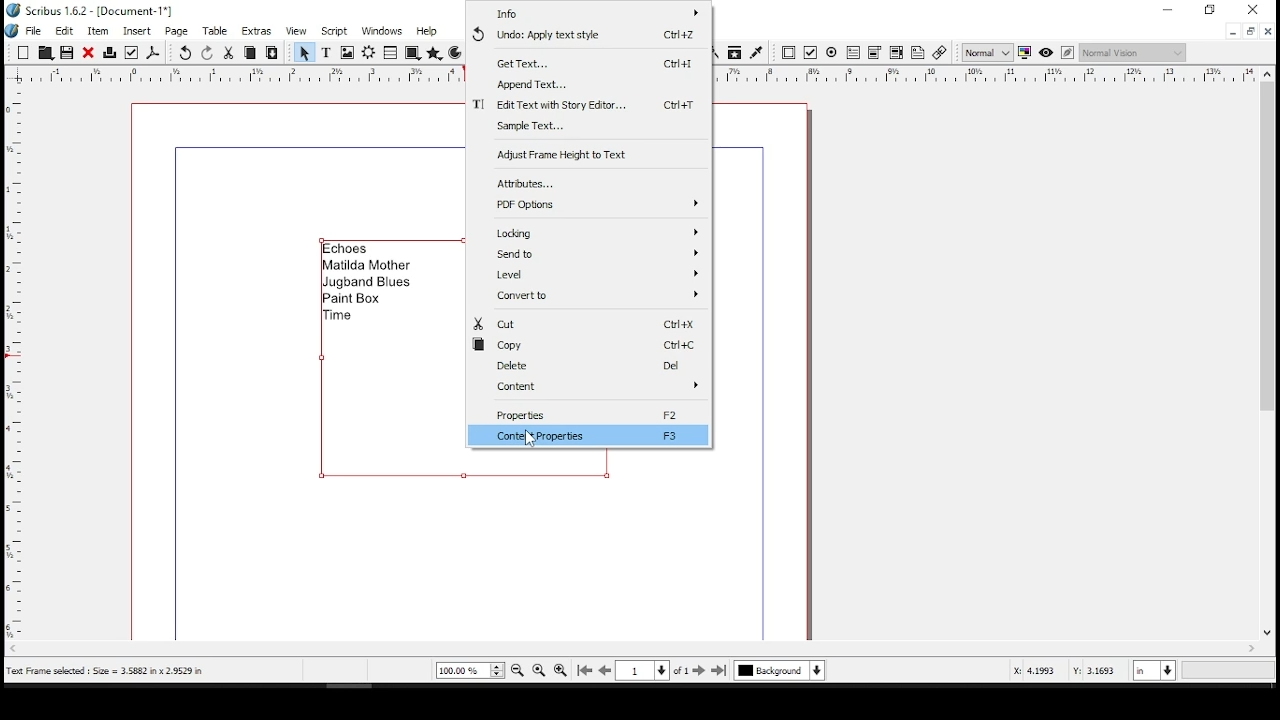 The width and height of the screenshot is (1280, 720). I want to click on redo, so click(208, 52).